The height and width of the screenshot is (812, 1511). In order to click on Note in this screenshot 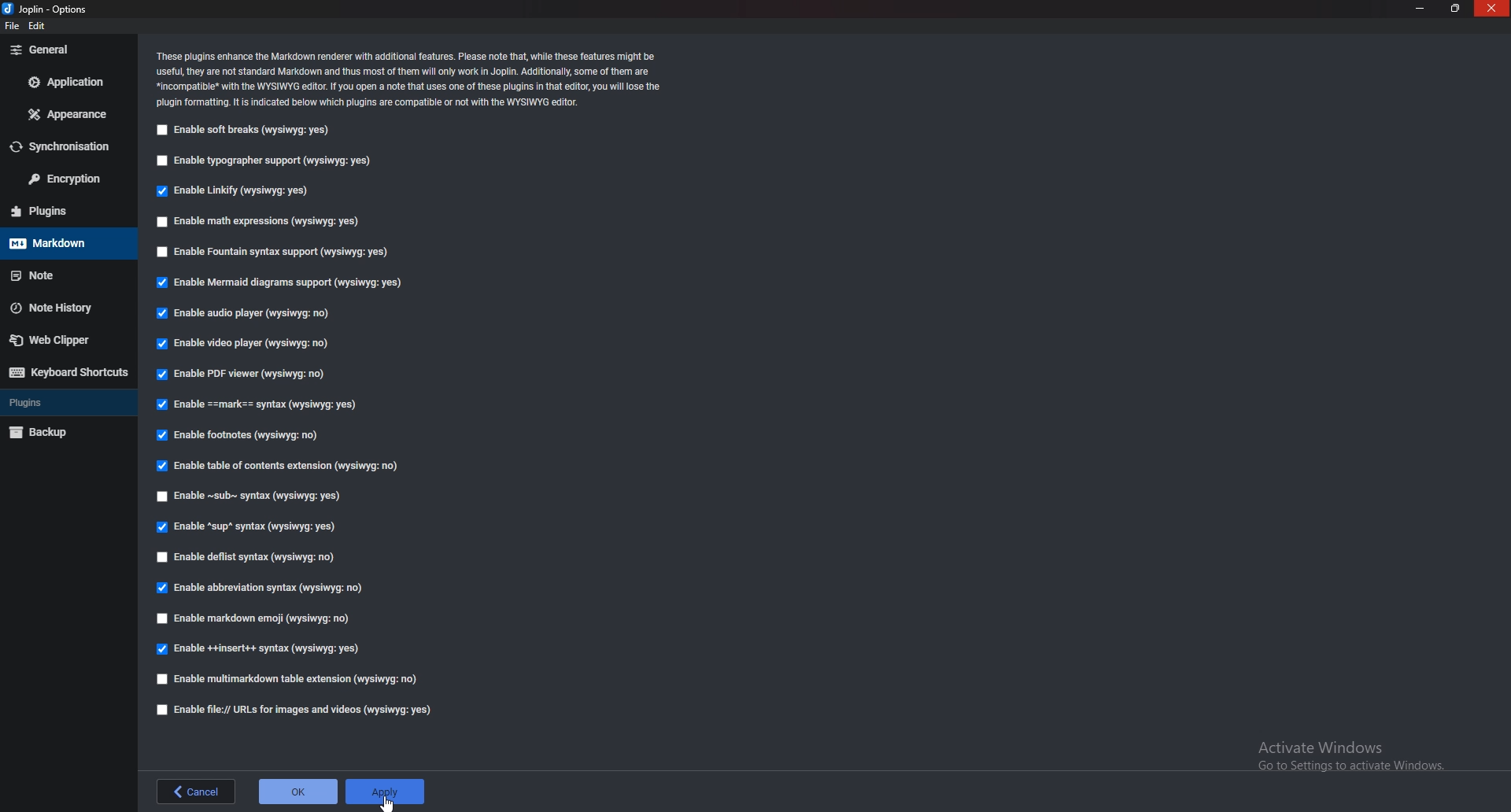, I will do `click(66, 273)`.